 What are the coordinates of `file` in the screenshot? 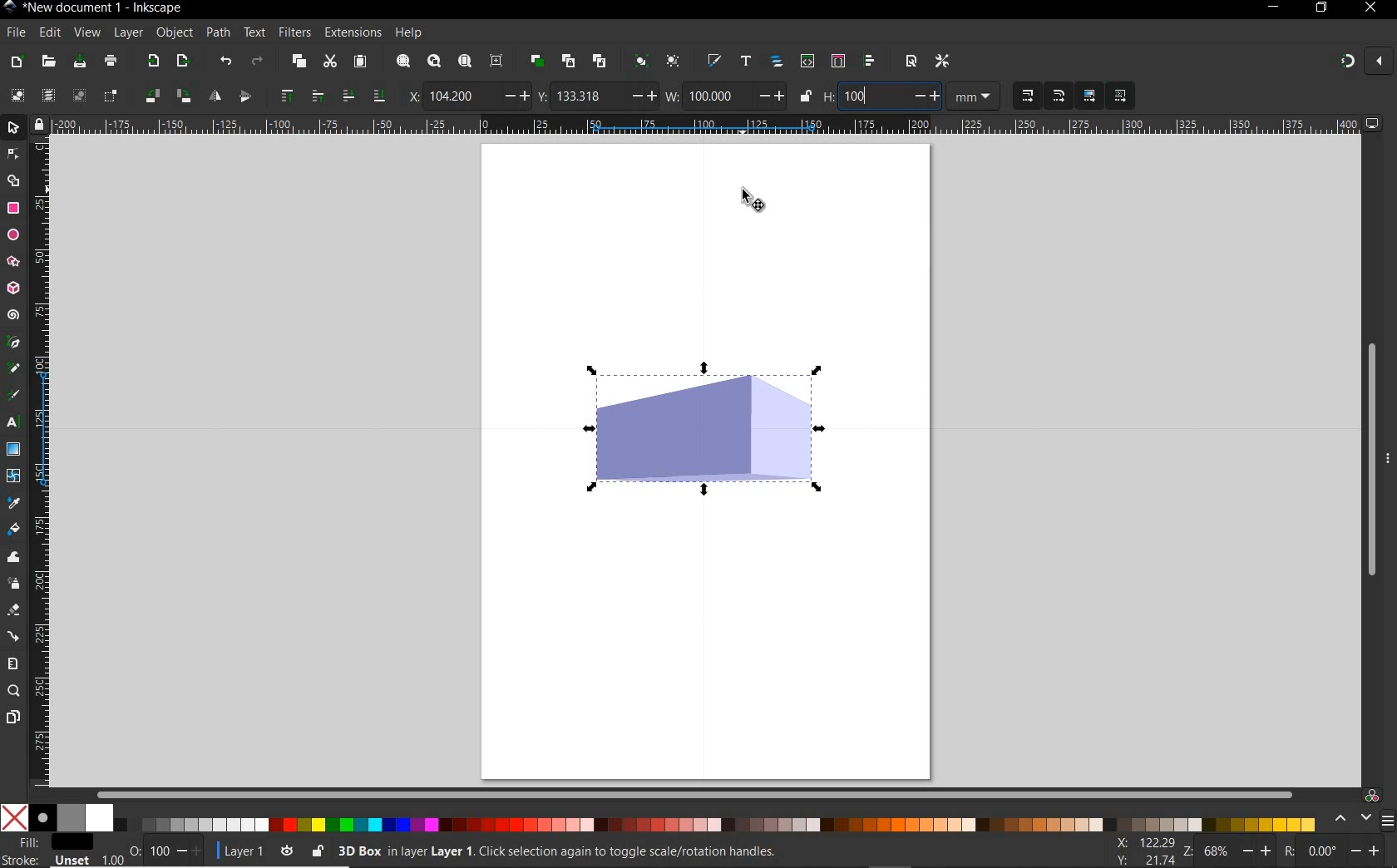 It's located at (16, 33).